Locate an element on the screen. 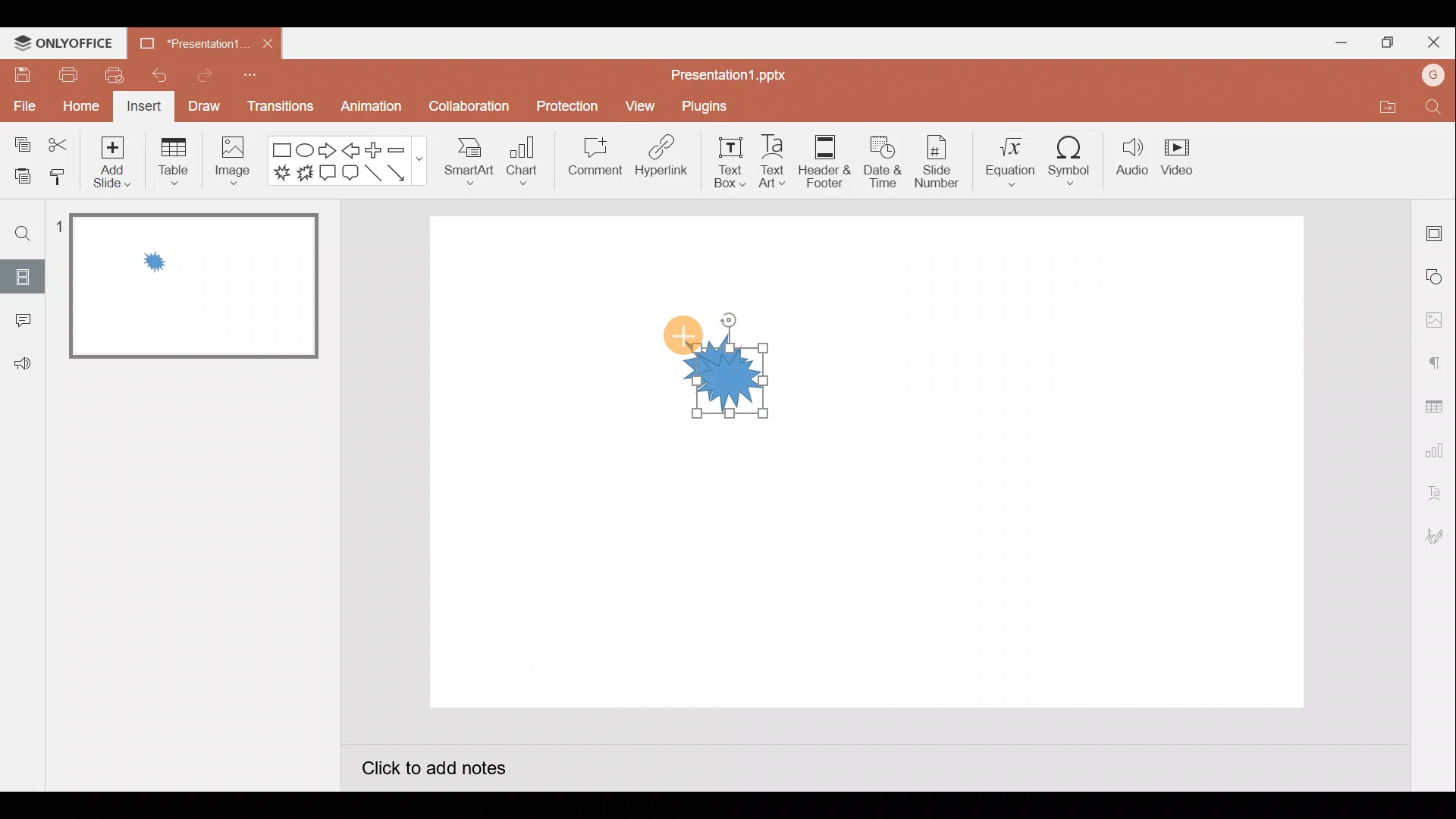 The width and height of the screenshot is (1456, 819). Equation is located at coordinates (1004, 162).